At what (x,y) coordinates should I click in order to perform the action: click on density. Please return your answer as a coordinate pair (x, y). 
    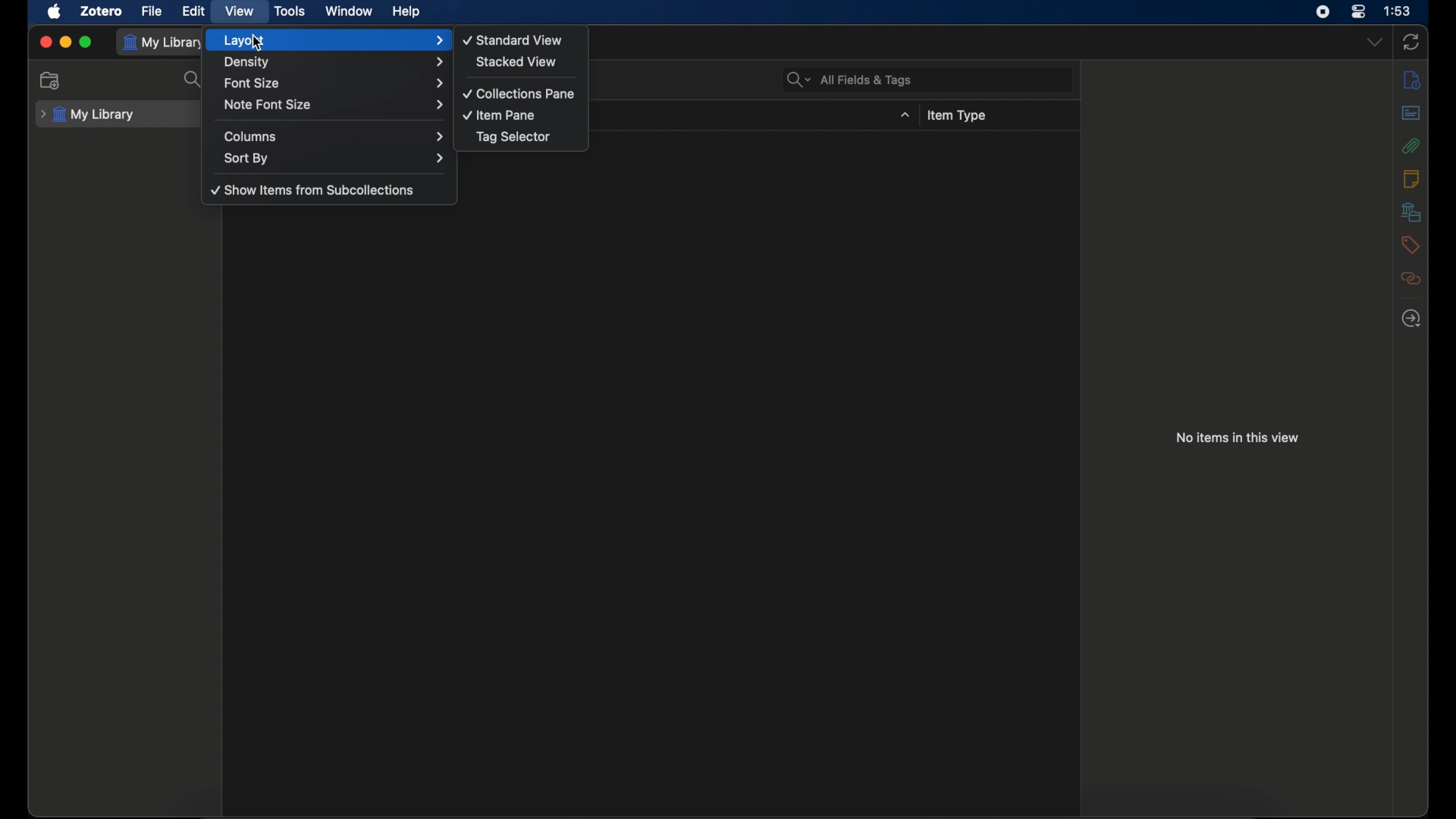
    Looking at the image, I should click on (335, 62).